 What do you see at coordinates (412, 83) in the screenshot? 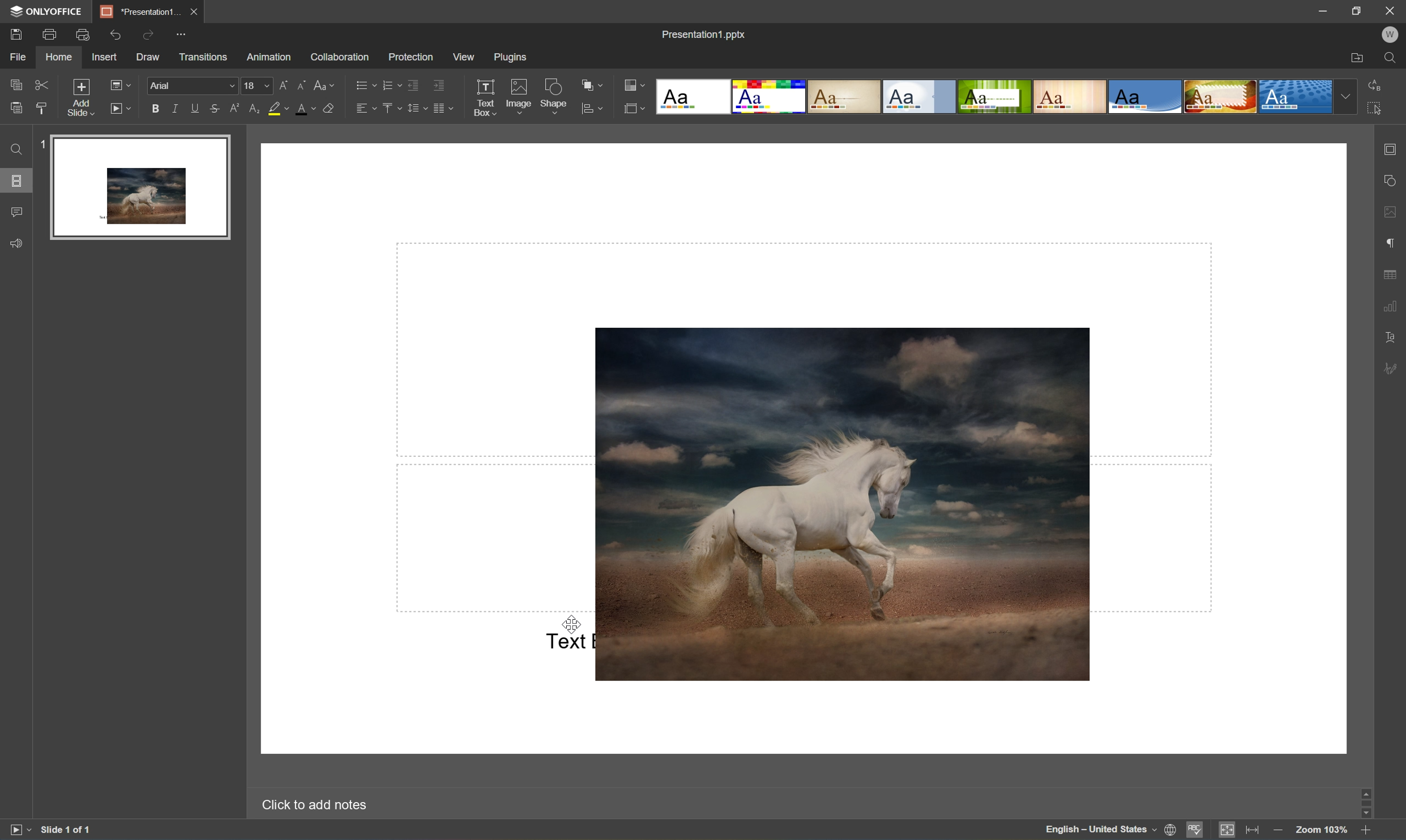
I see `Decrease indent` at bounding box center [412, 83].